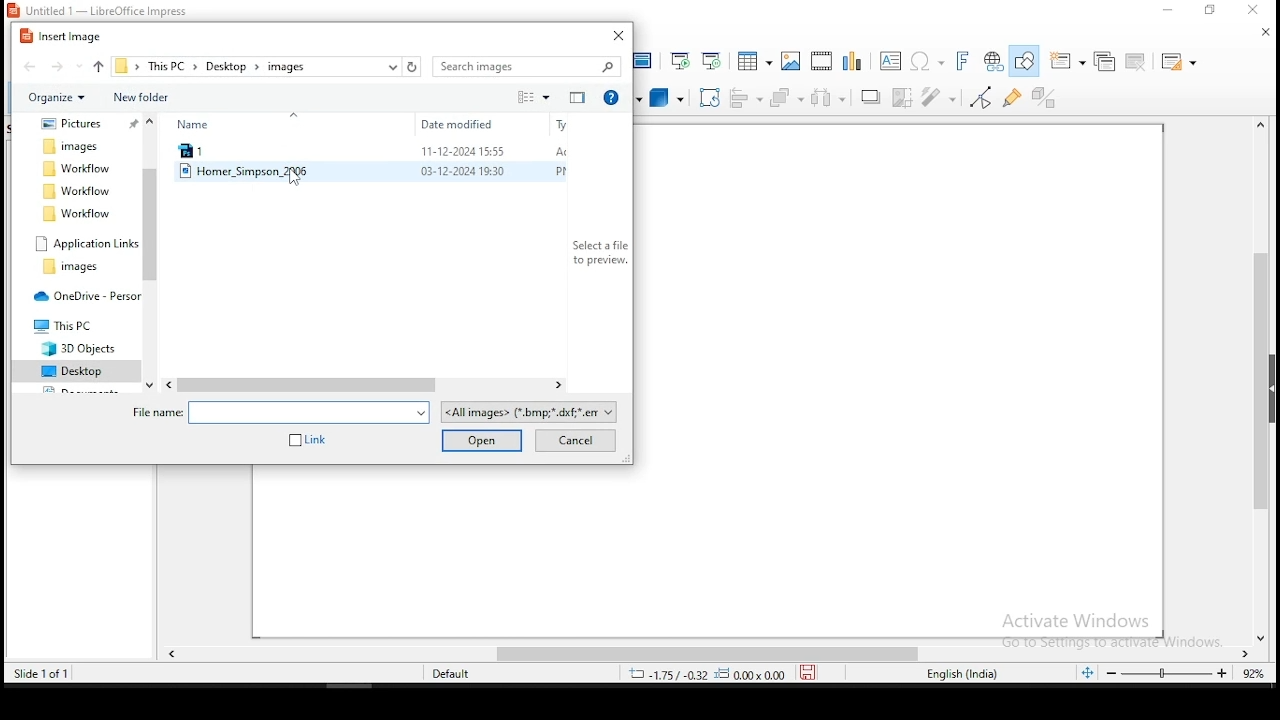  I want to click on file name, so click(281, 413).